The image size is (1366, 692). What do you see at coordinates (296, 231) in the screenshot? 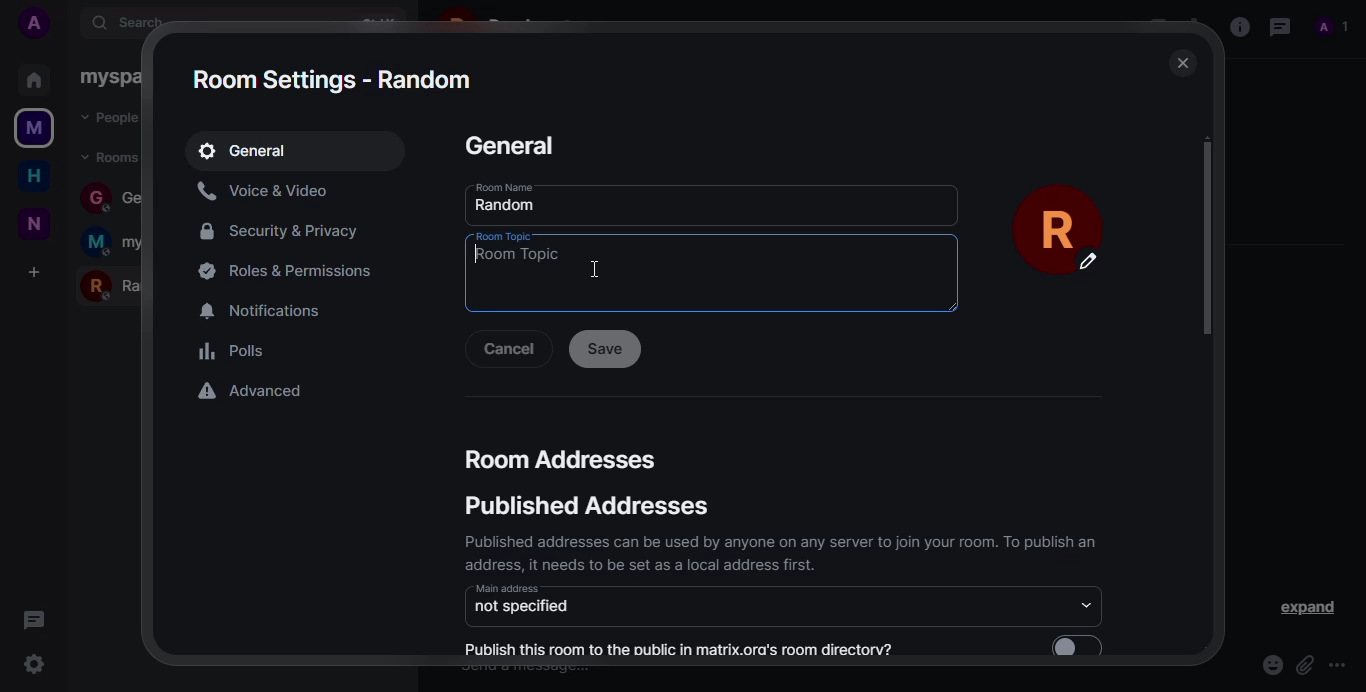
I see `security&privacy` at bounding box center [296, 231].